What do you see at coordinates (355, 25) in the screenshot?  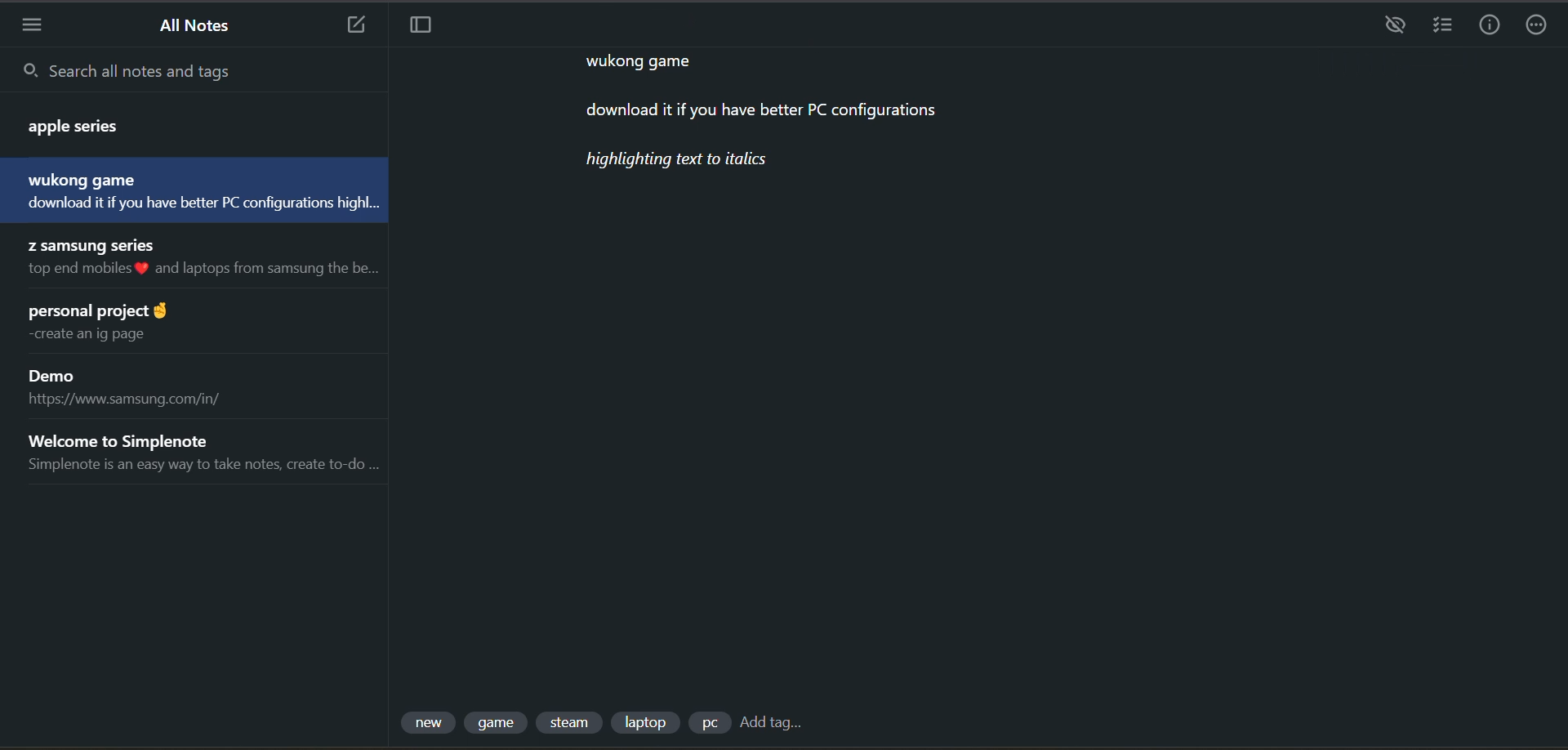 I see `new note` at bounding box center [355, 25].